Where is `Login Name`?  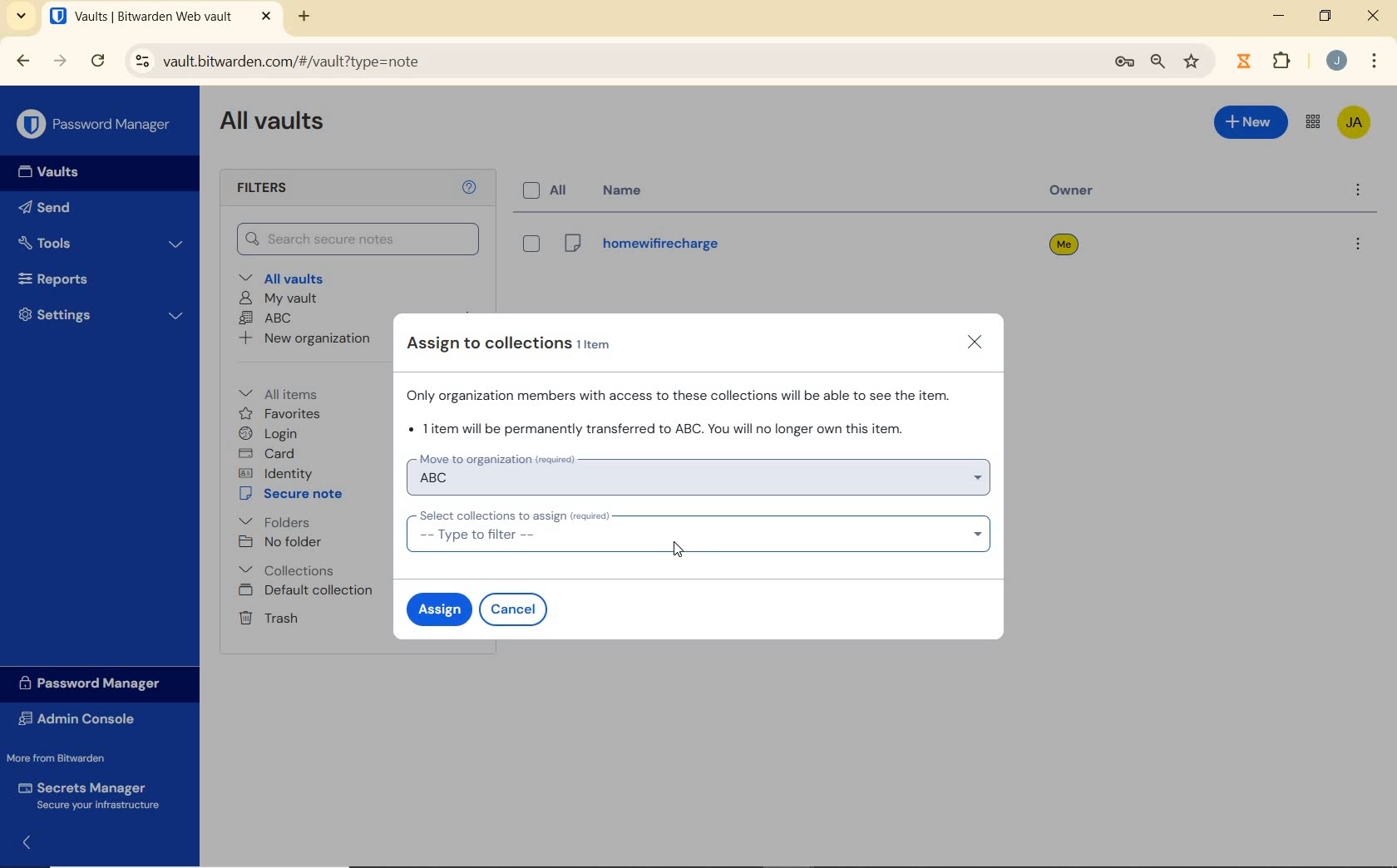
Login Name is located at coordinates (640, 248).